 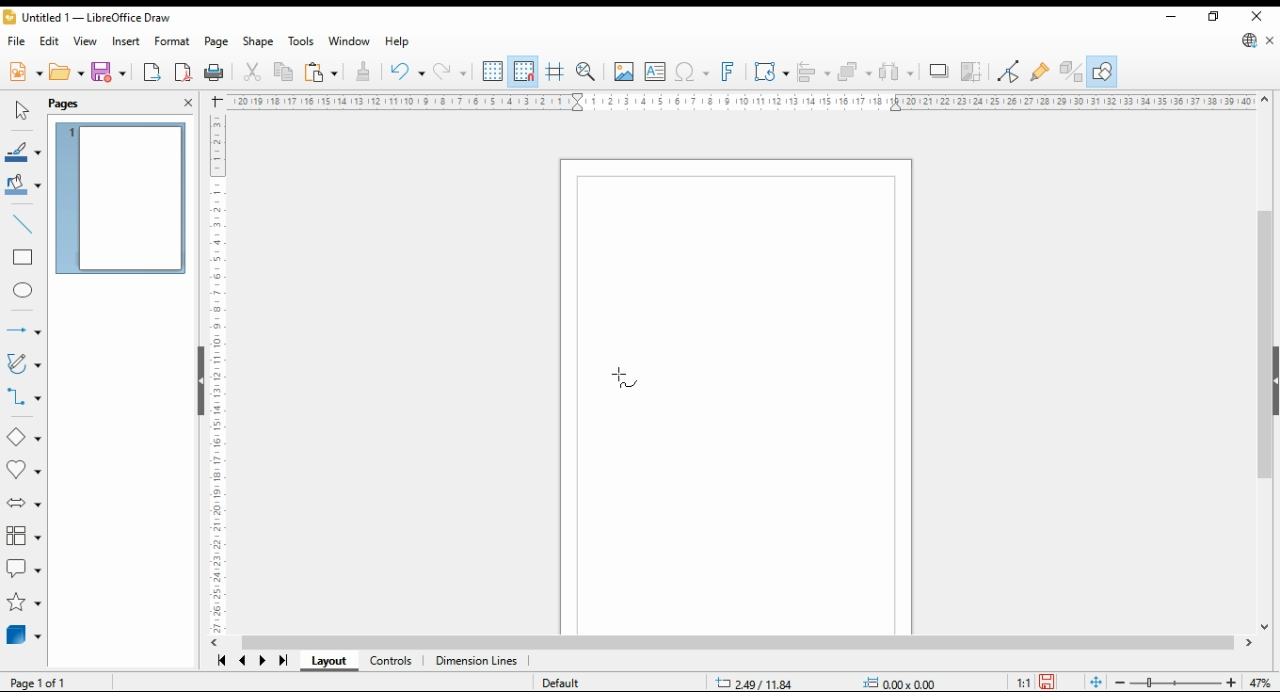 What do you see at coordinates (556, 72) in the screenshot?
I see `helplines when moving` at bounding box center [556, 72].